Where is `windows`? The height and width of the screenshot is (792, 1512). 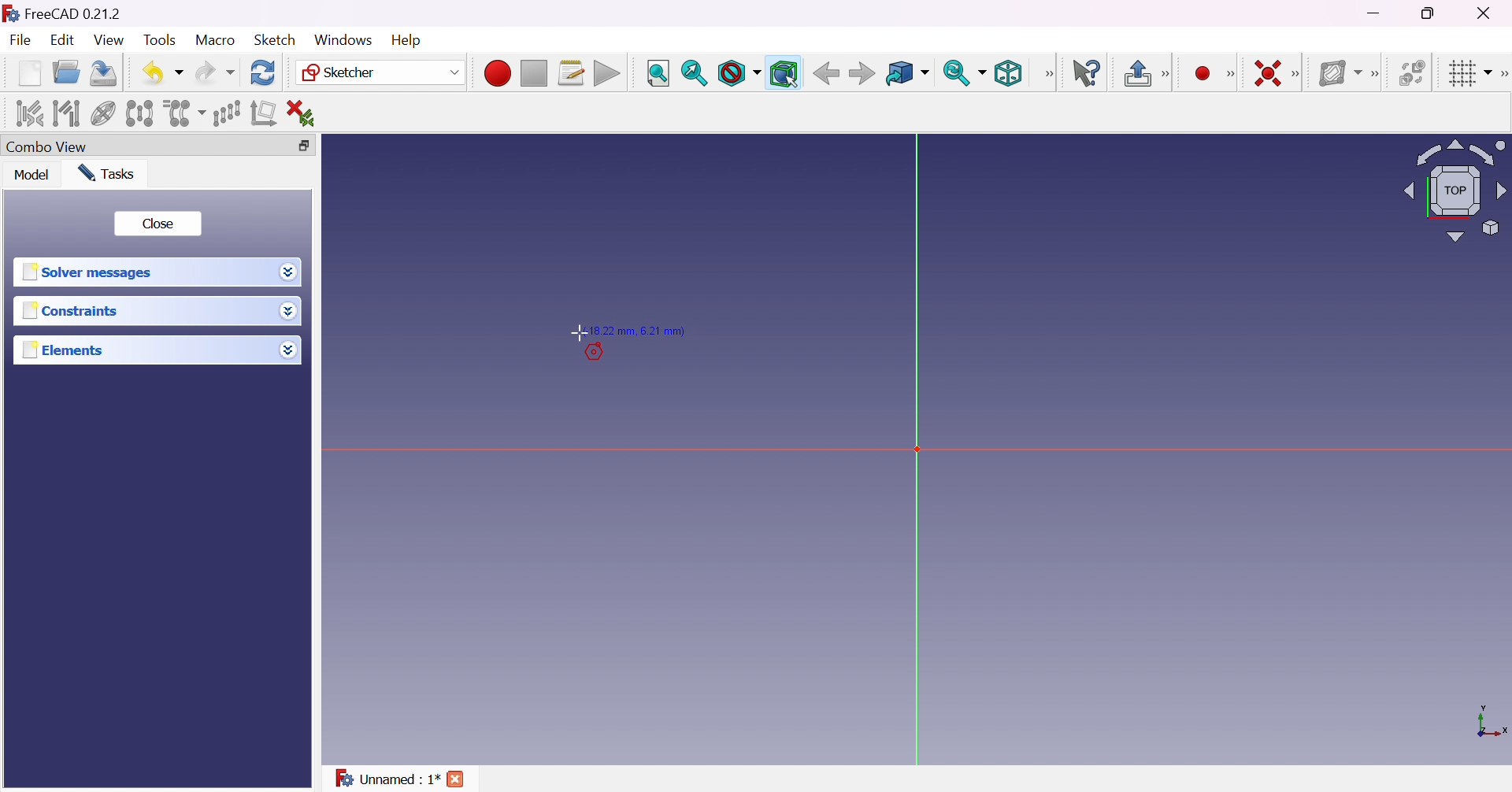
windows is located at coordinates (343, 40).